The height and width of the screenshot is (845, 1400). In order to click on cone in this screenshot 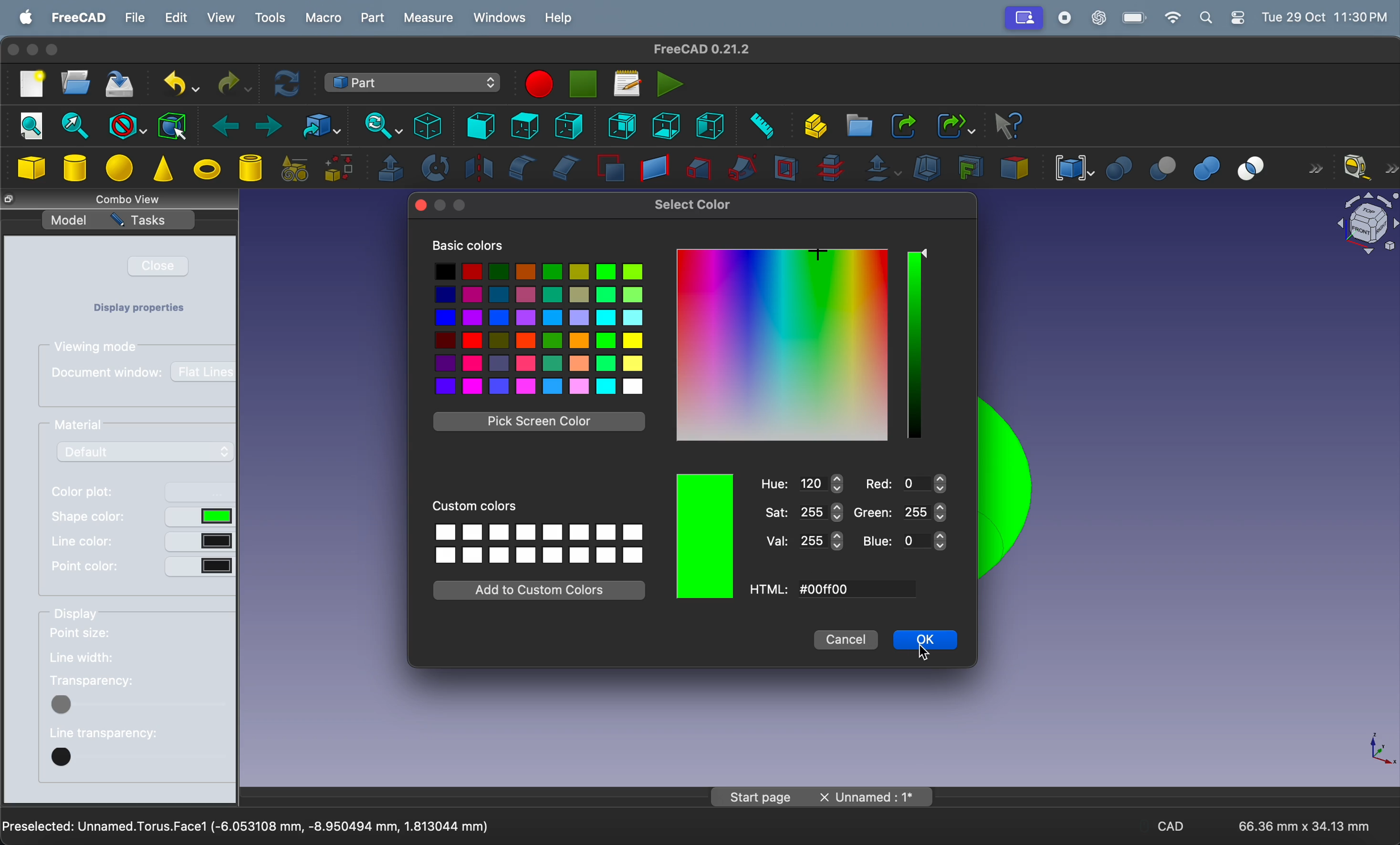, I will do `click(163, 170)`.